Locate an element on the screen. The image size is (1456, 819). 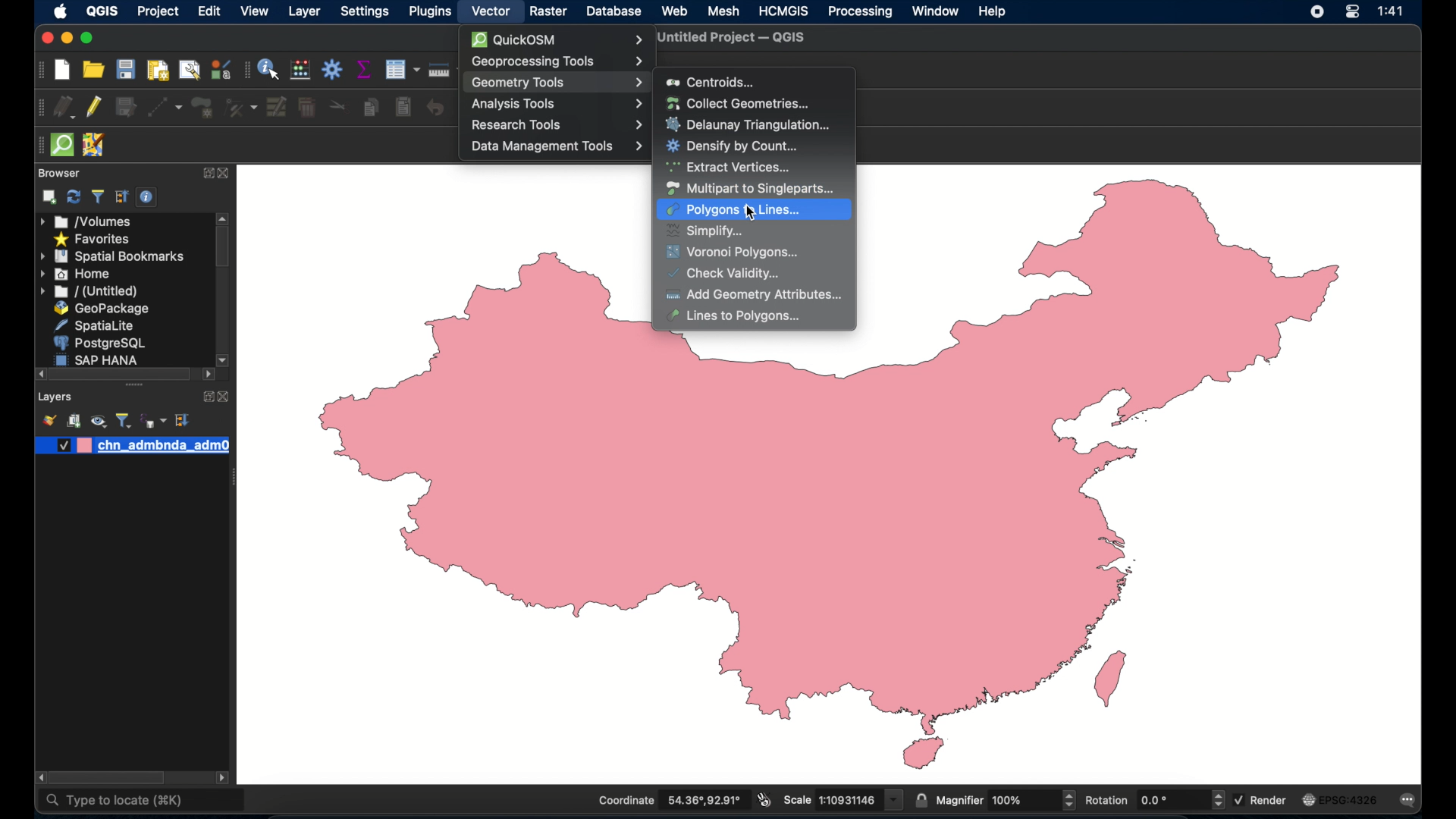
polygons to lines is located at coordinates (733, 210).